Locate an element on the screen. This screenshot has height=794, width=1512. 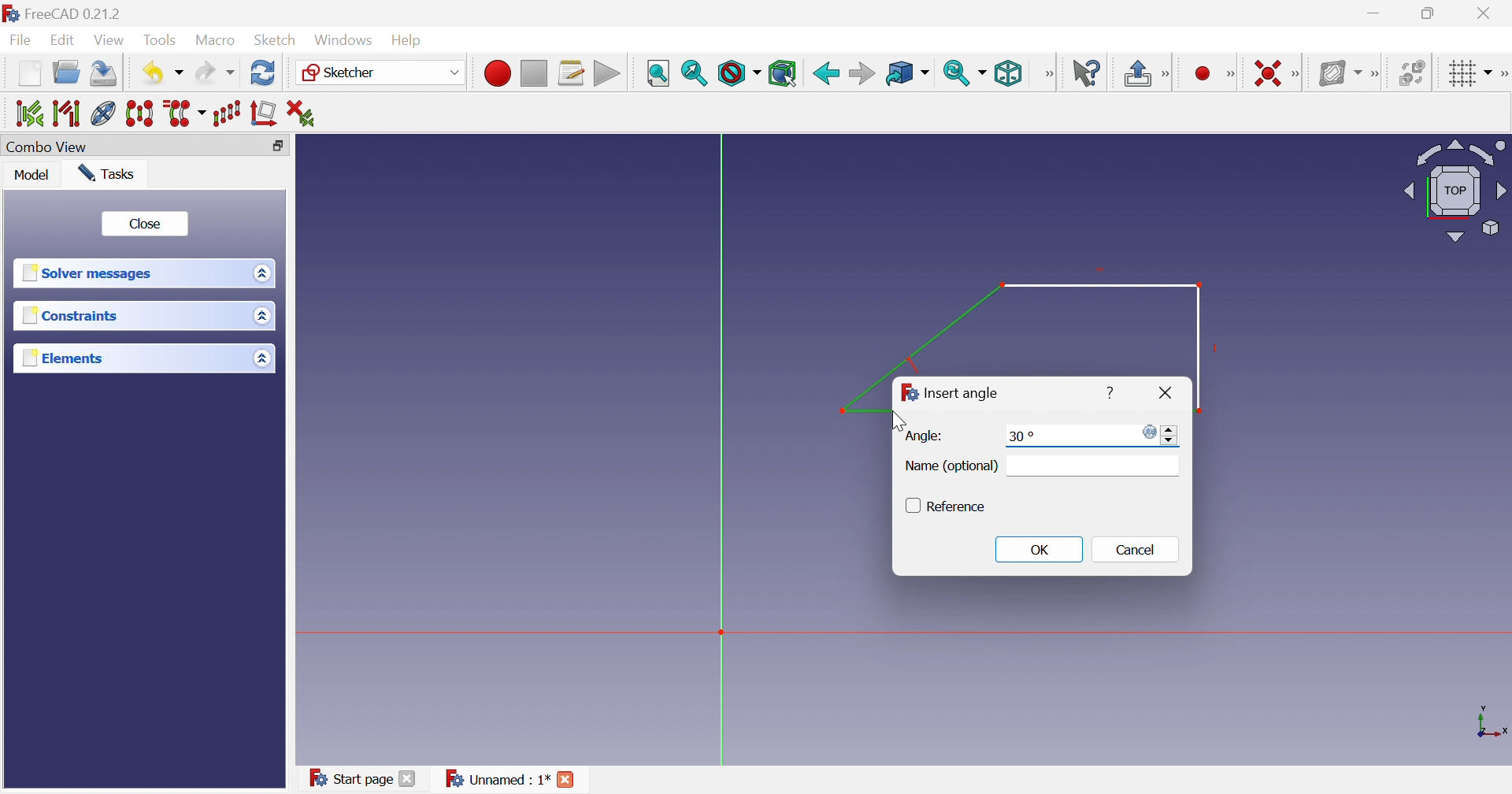
Delete all constraints is located at coordinates (300, 112).